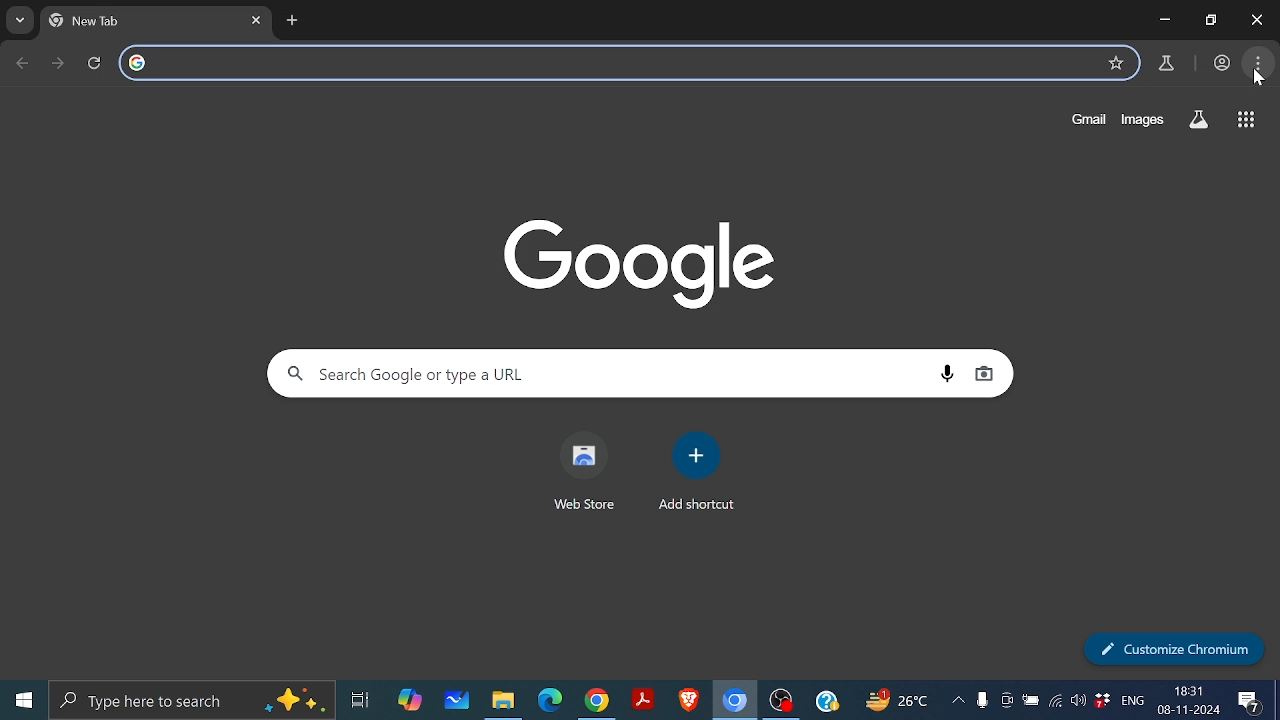 This screenshot has height=720, width=1280. What do you see at coordinates (1168, 64) in the screenshot?
I see `Google lab` at bounding box center [1168, 64].